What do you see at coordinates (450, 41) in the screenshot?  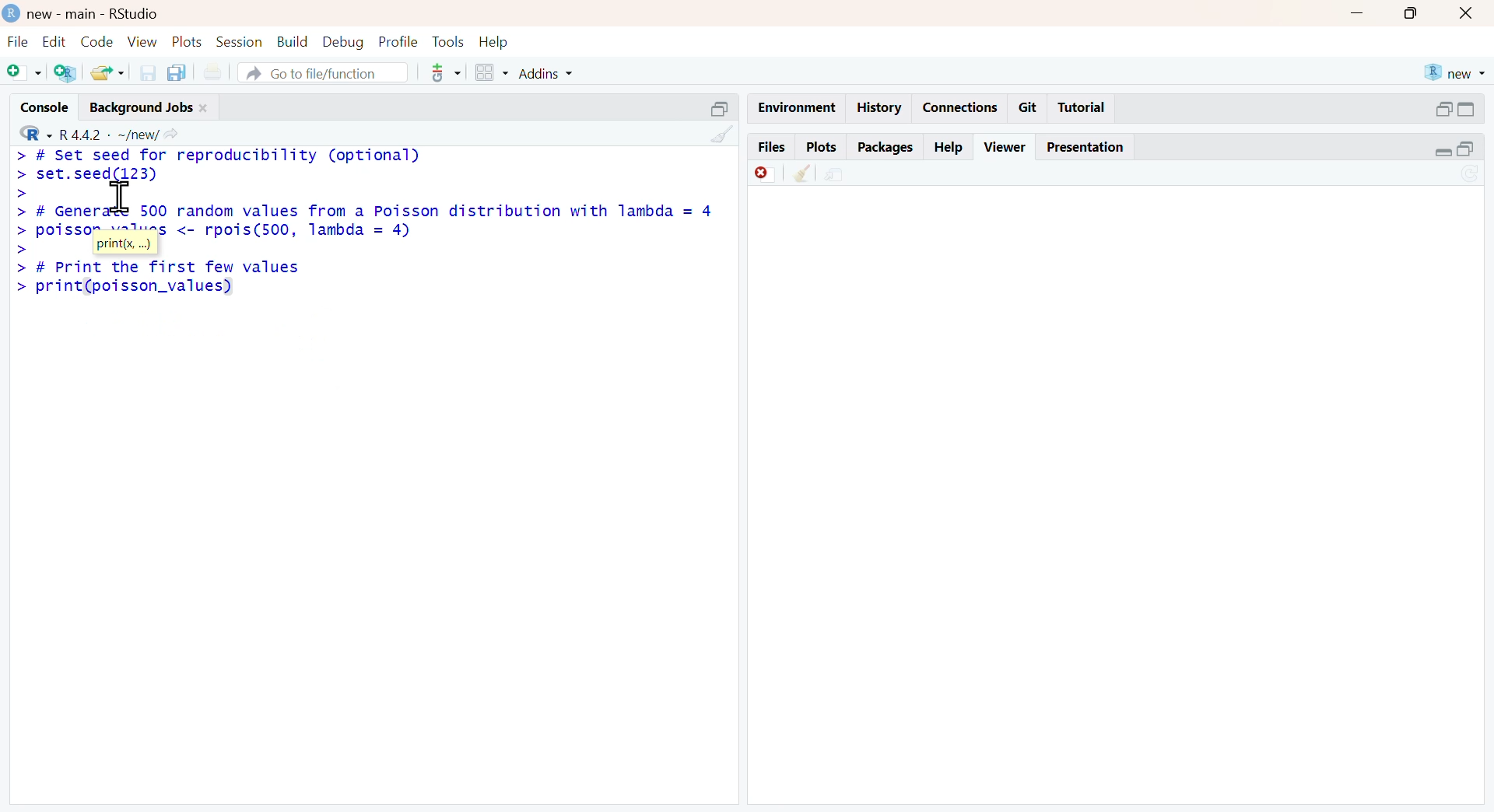 I see `tools` at bounding box center [450, 41].